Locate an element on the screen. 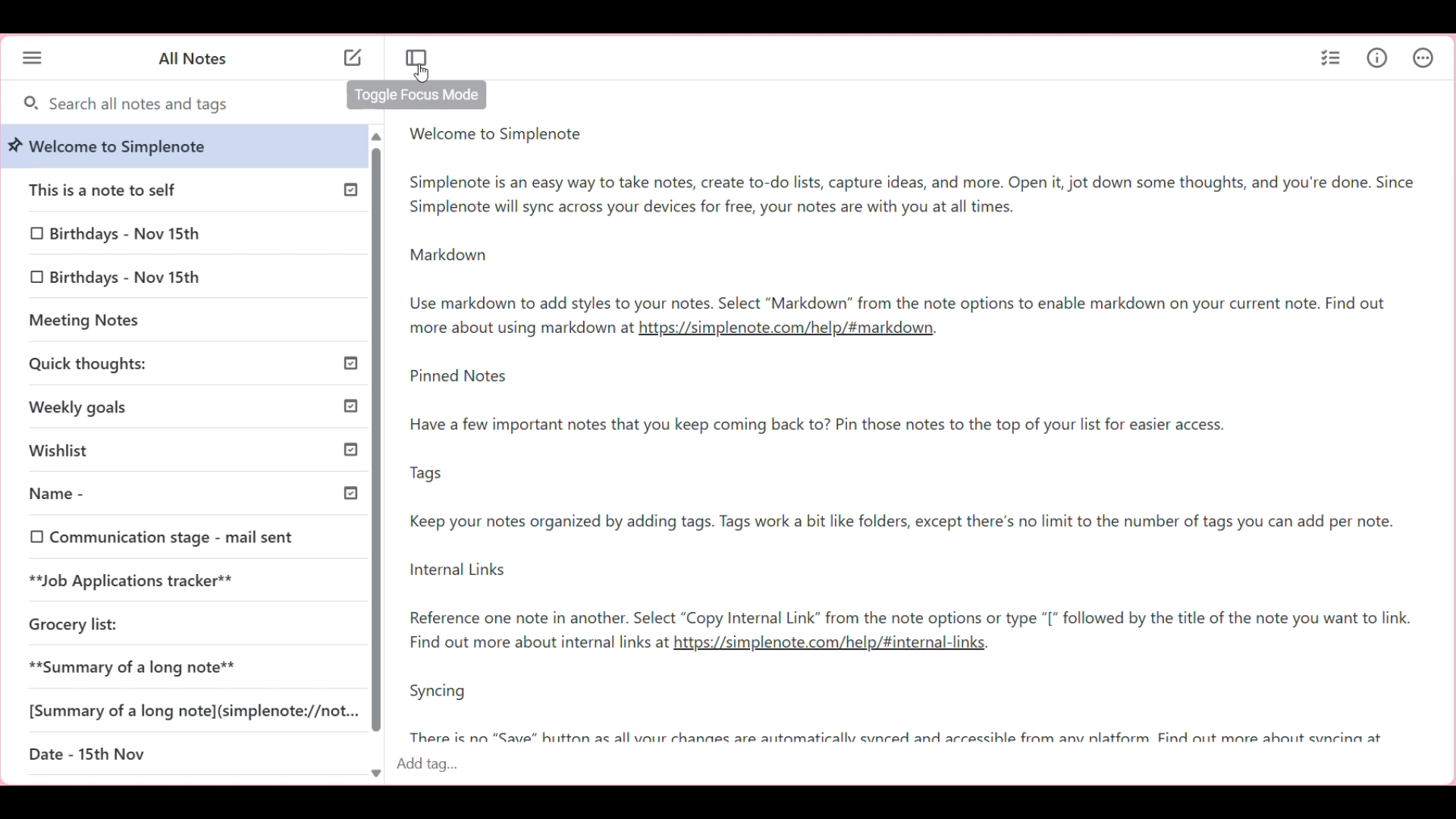  Quick slide to bottom is located at coordinates (375, 773).